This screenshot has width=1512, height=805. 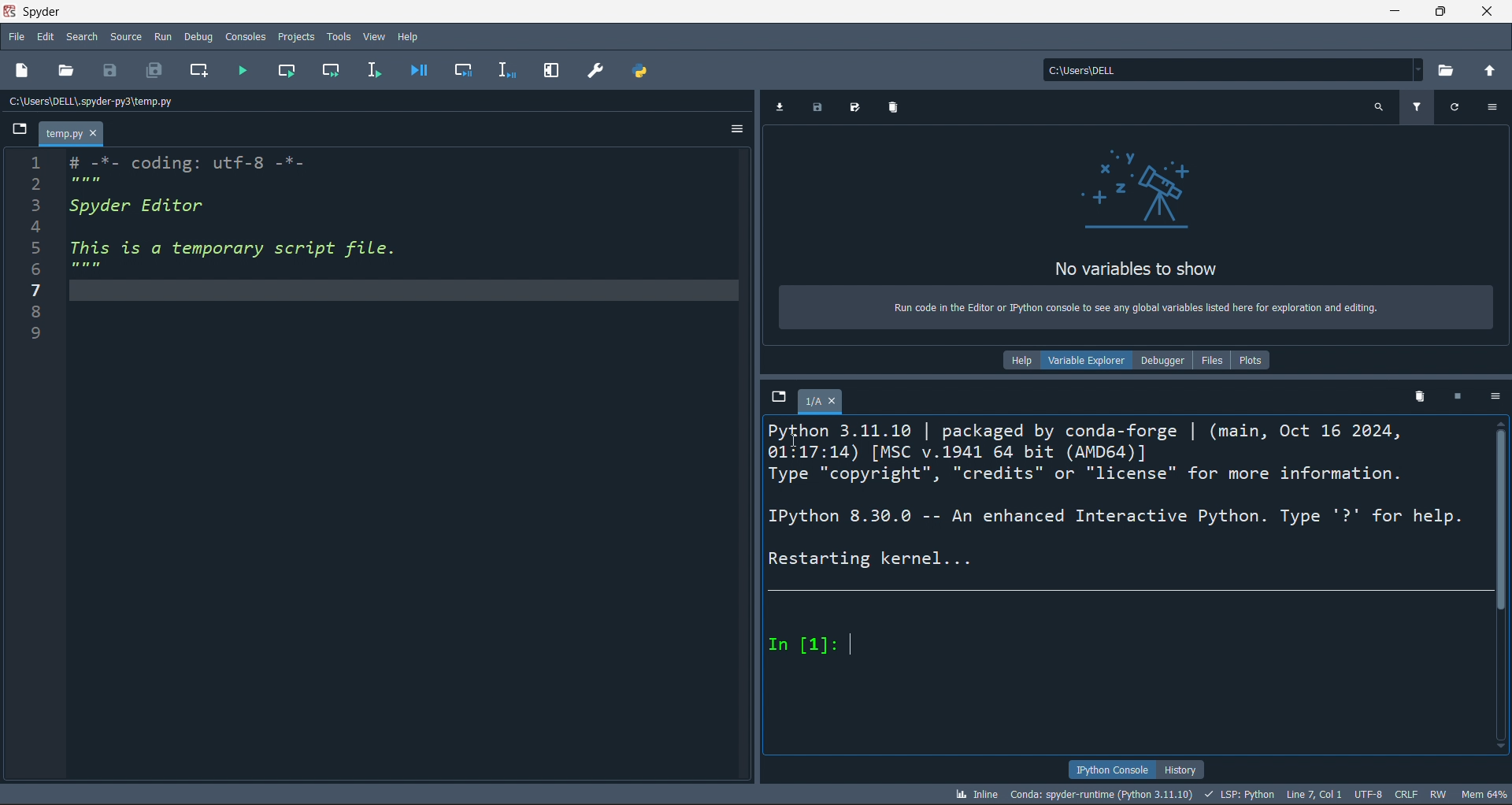 What do you see at coordinates (335, 71) in the screenshot?
I see `run cell and move` at bounding box center [335, 71].